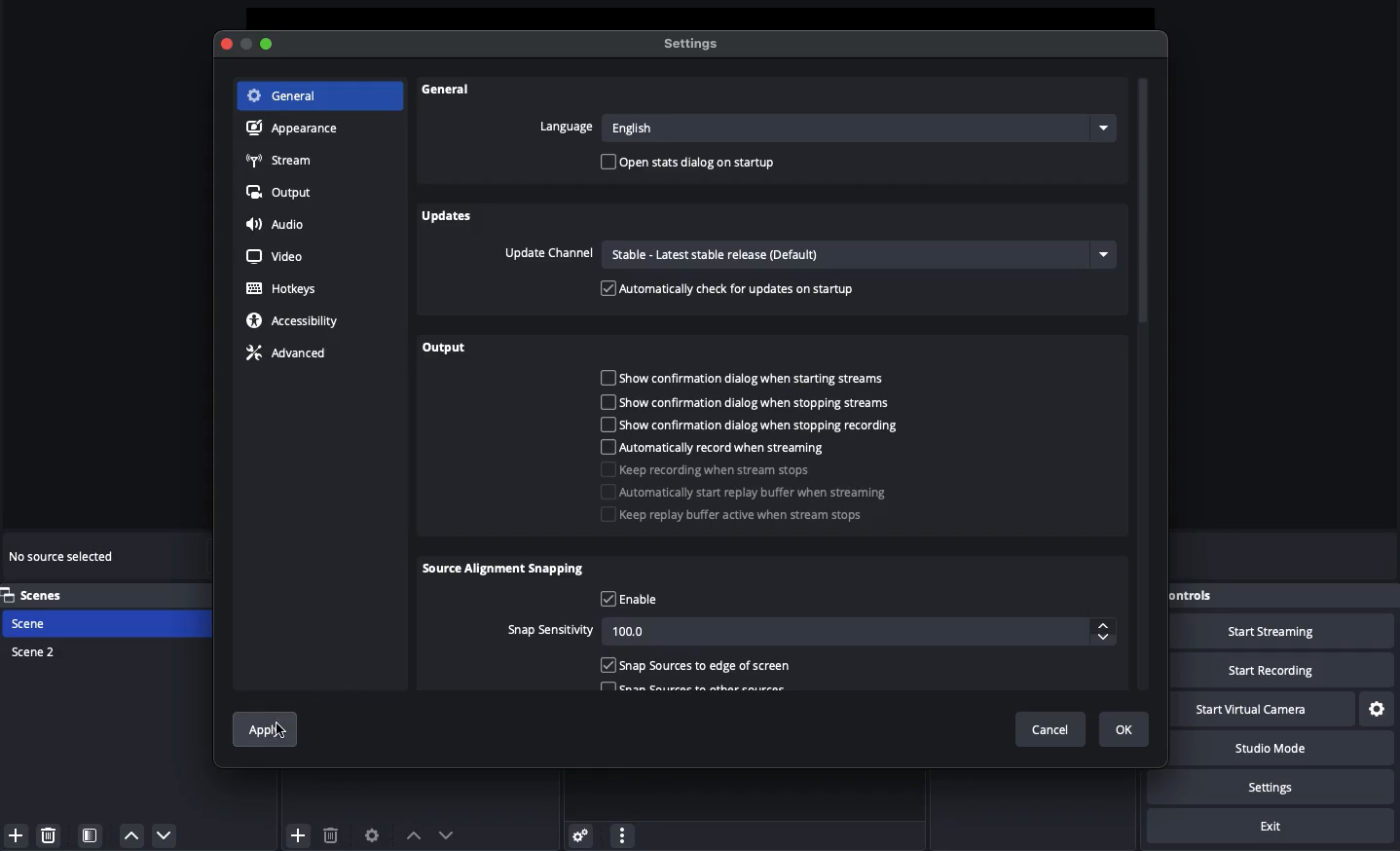  What do you see at coordinates (411, 832) in the screenshot?
I see `Up` at bounding box center [411, 832].